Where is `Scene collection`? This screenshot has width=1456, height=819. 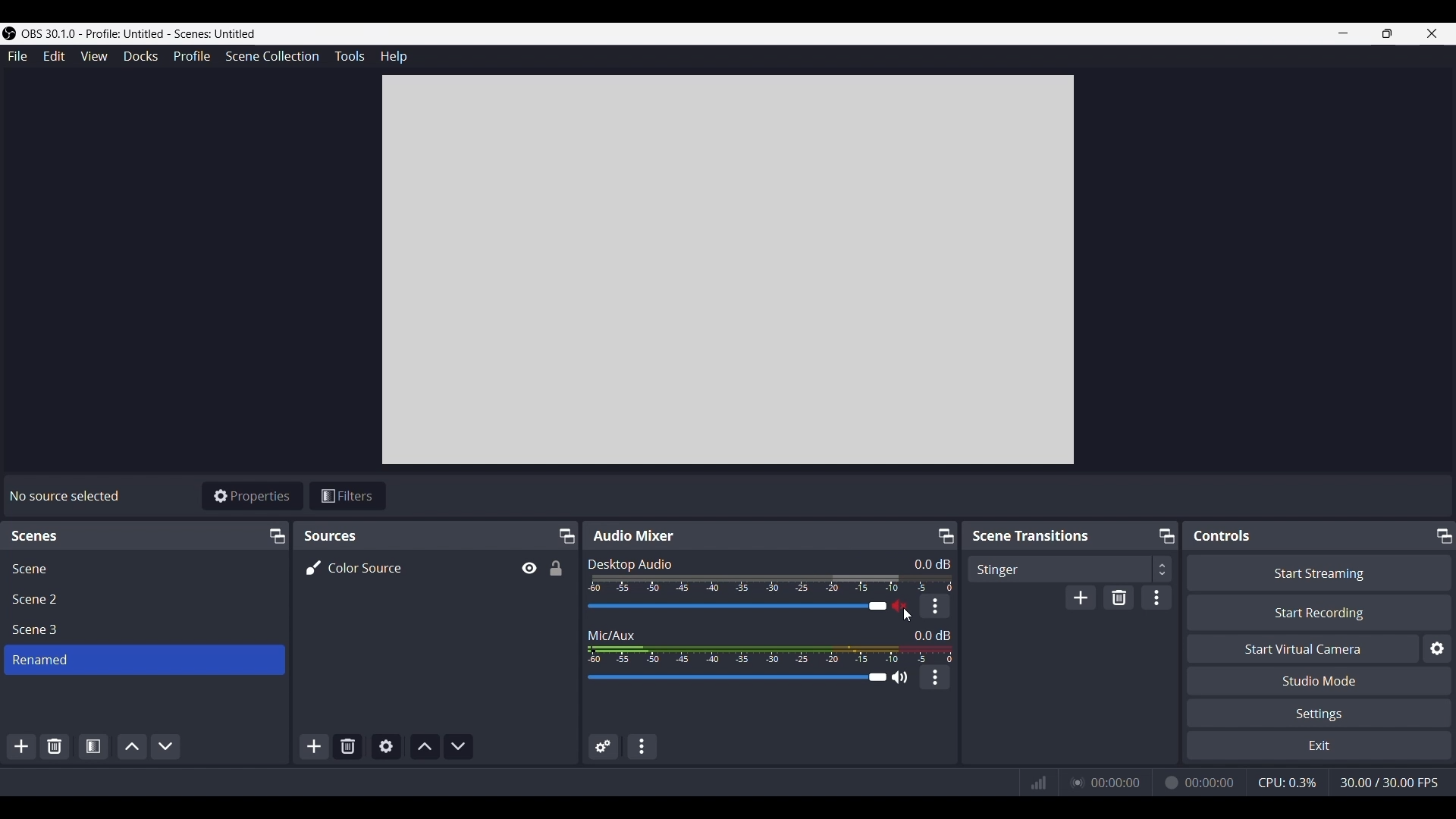 Scene collection is located at coordinates (272, 56).